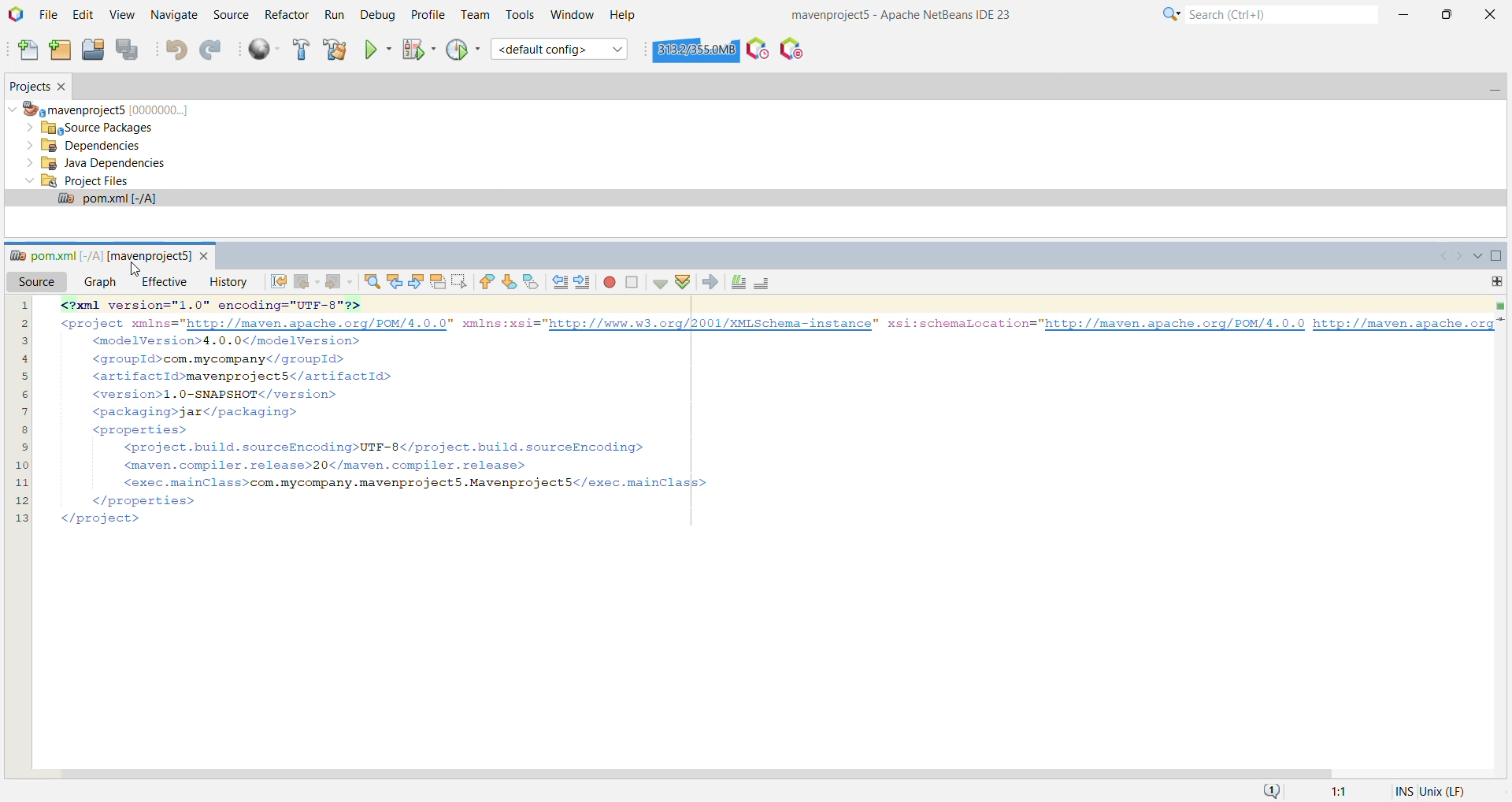 This screenshot has height=802, width=1512. I want to click on Undo, so click(176, 51).